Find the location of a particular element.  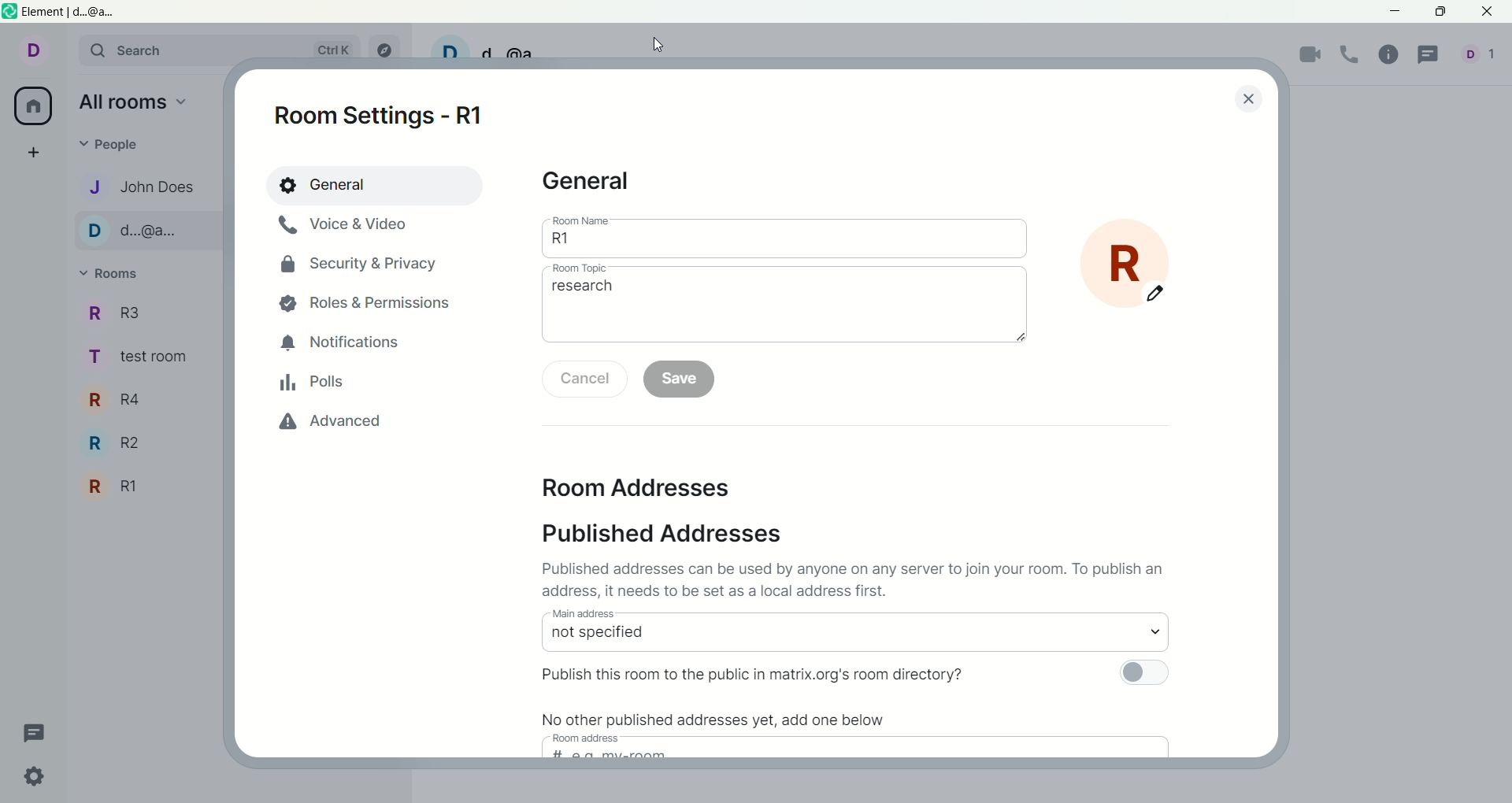

notification is located at coordinates (349, 343).